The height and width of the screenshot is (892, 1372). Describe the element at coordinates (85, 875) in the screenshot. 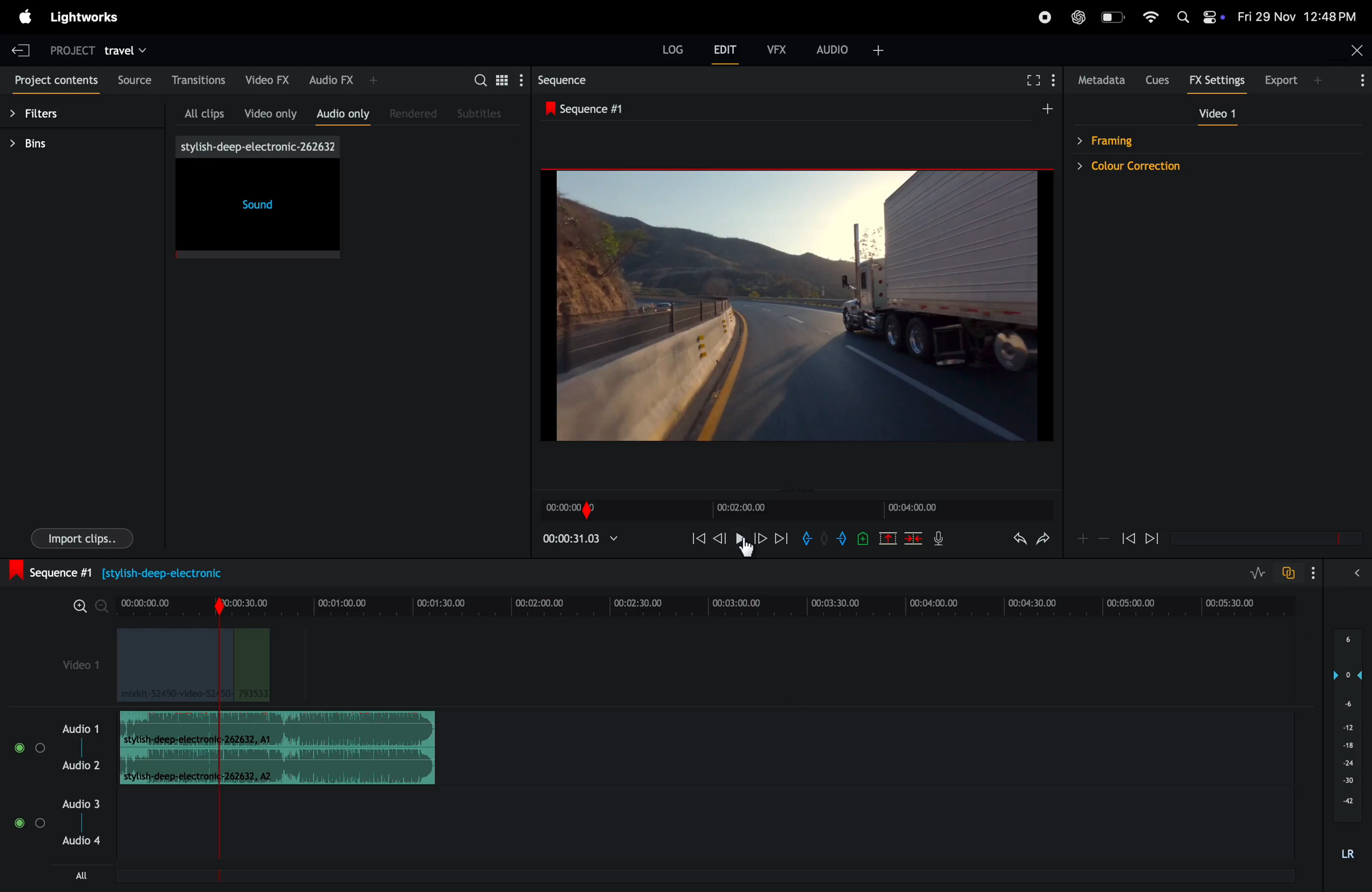

I see `all` at that location.